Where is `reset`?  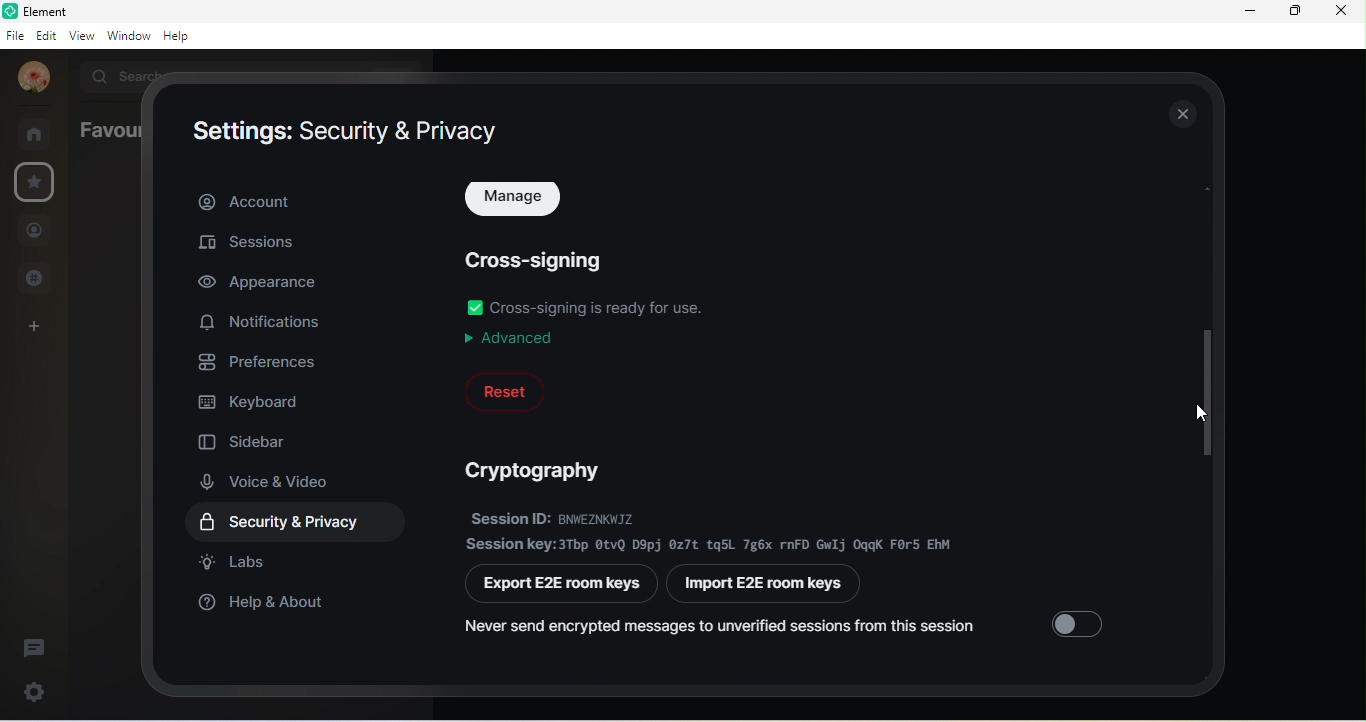 reset is located at coordinates (505, 391).